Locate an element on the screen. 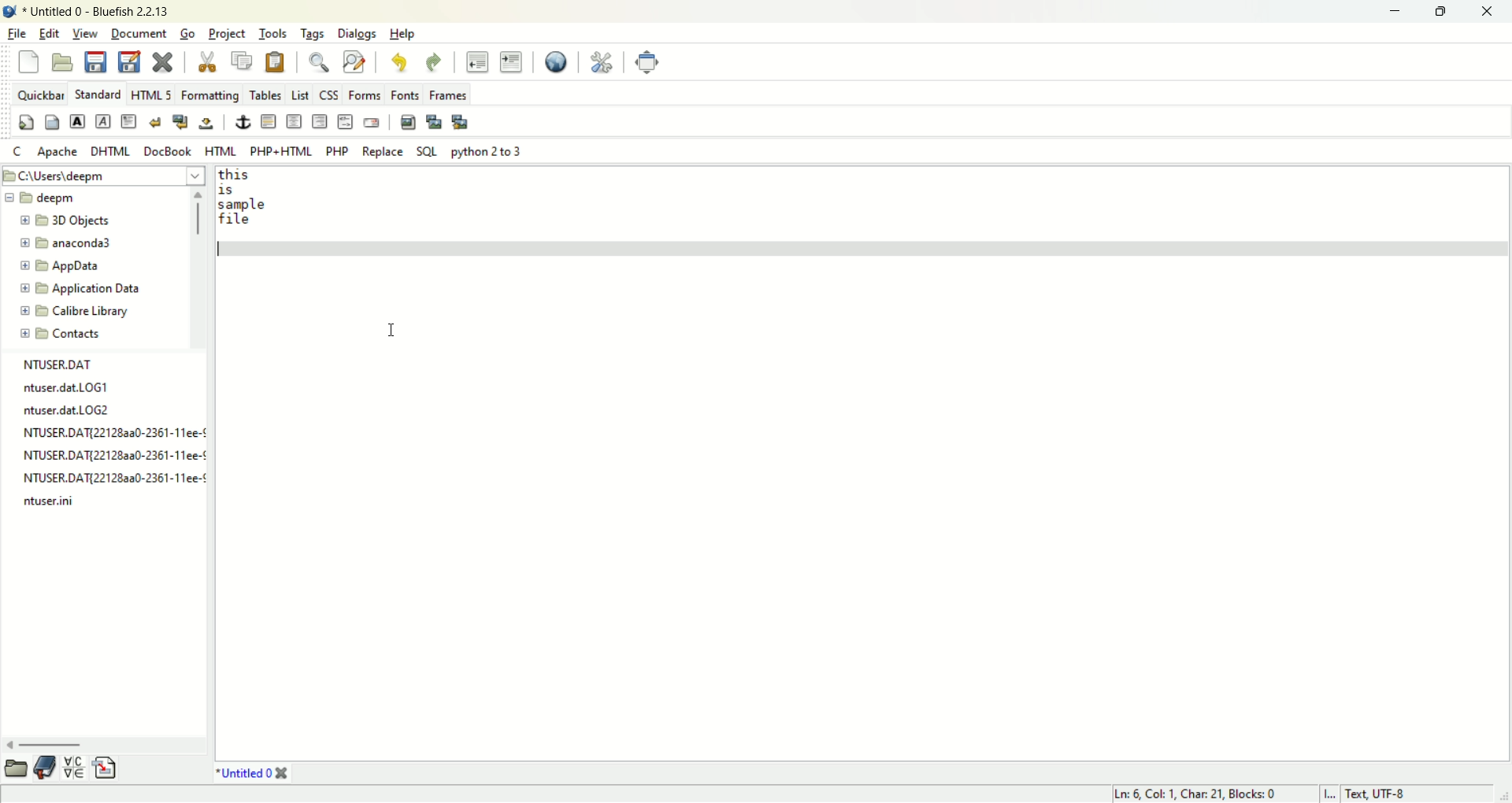 The image size is (1512, 803). show find bar is located at coordinates (317, 62).